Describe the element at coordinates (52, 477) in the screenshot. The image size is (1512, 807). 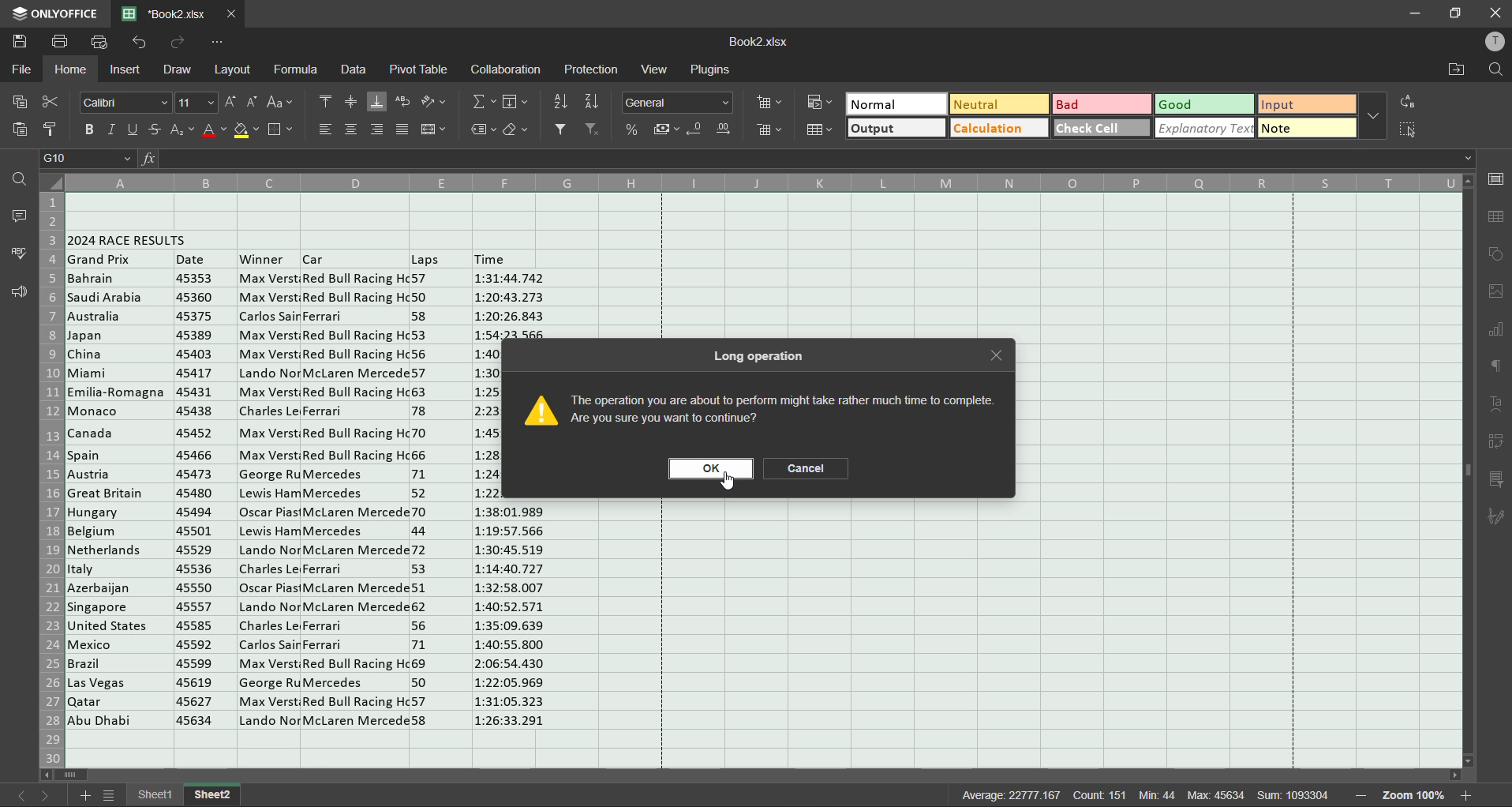
I see `row numbers` at that location.